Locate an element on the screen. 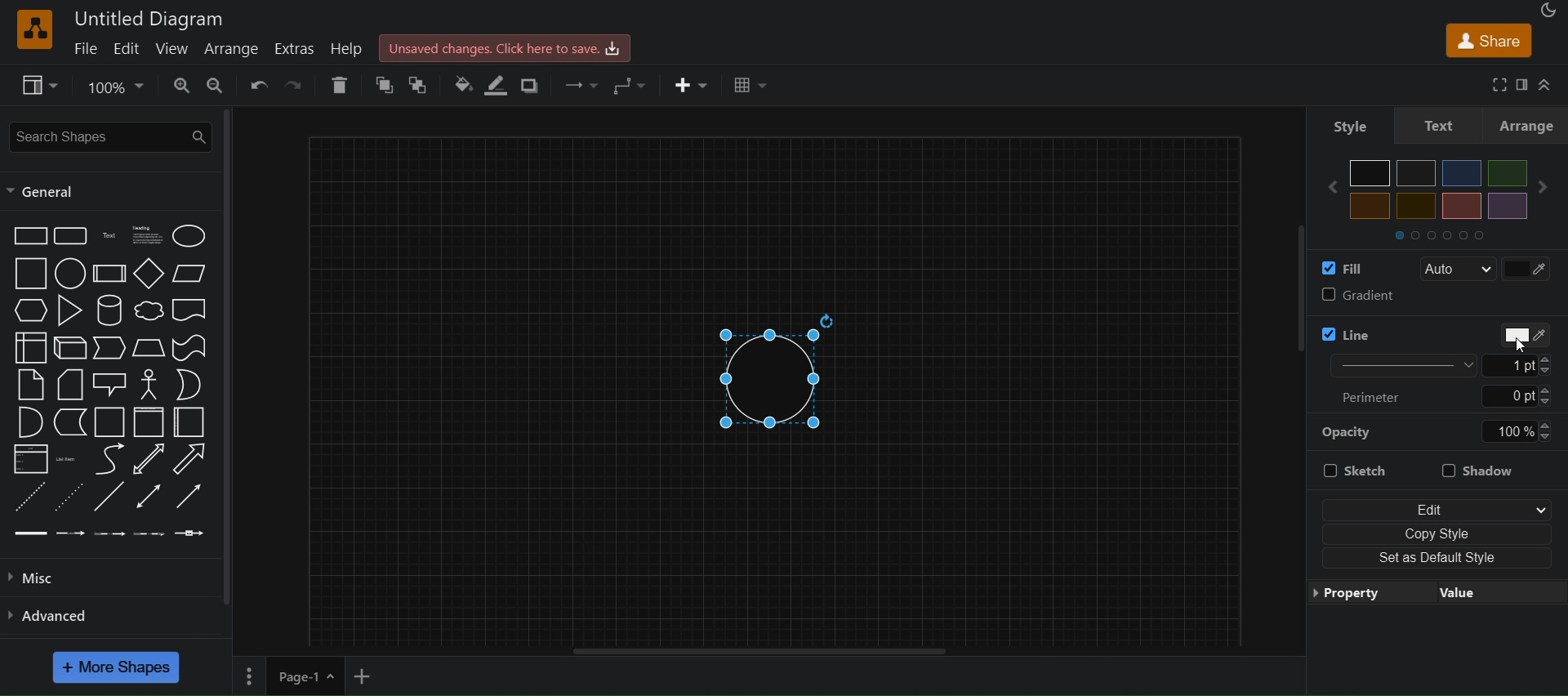  list item is located at coordinates (69, 459).